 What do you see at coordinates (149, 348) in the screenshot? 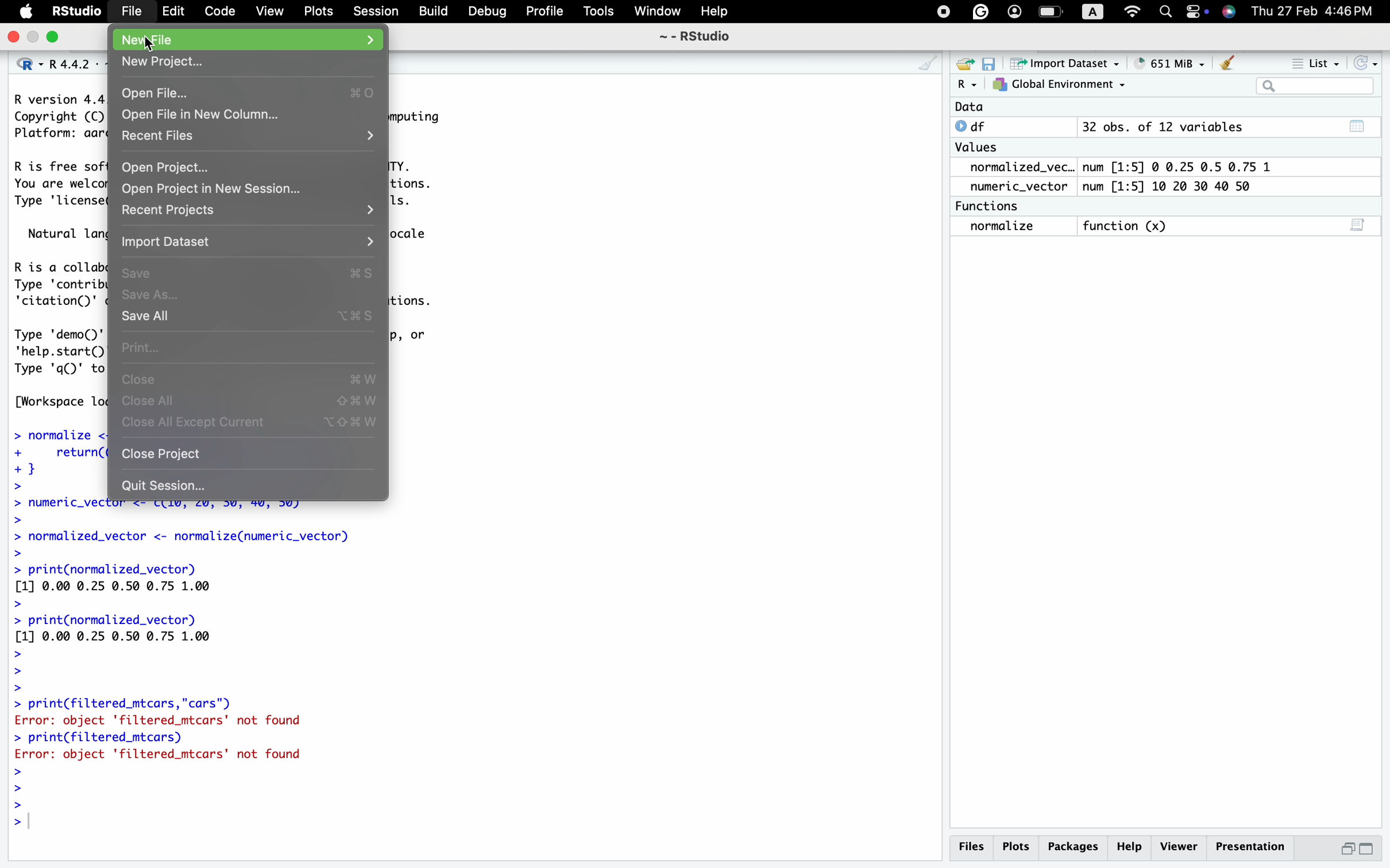
I see `Print...` at bounding box center [149, 348].